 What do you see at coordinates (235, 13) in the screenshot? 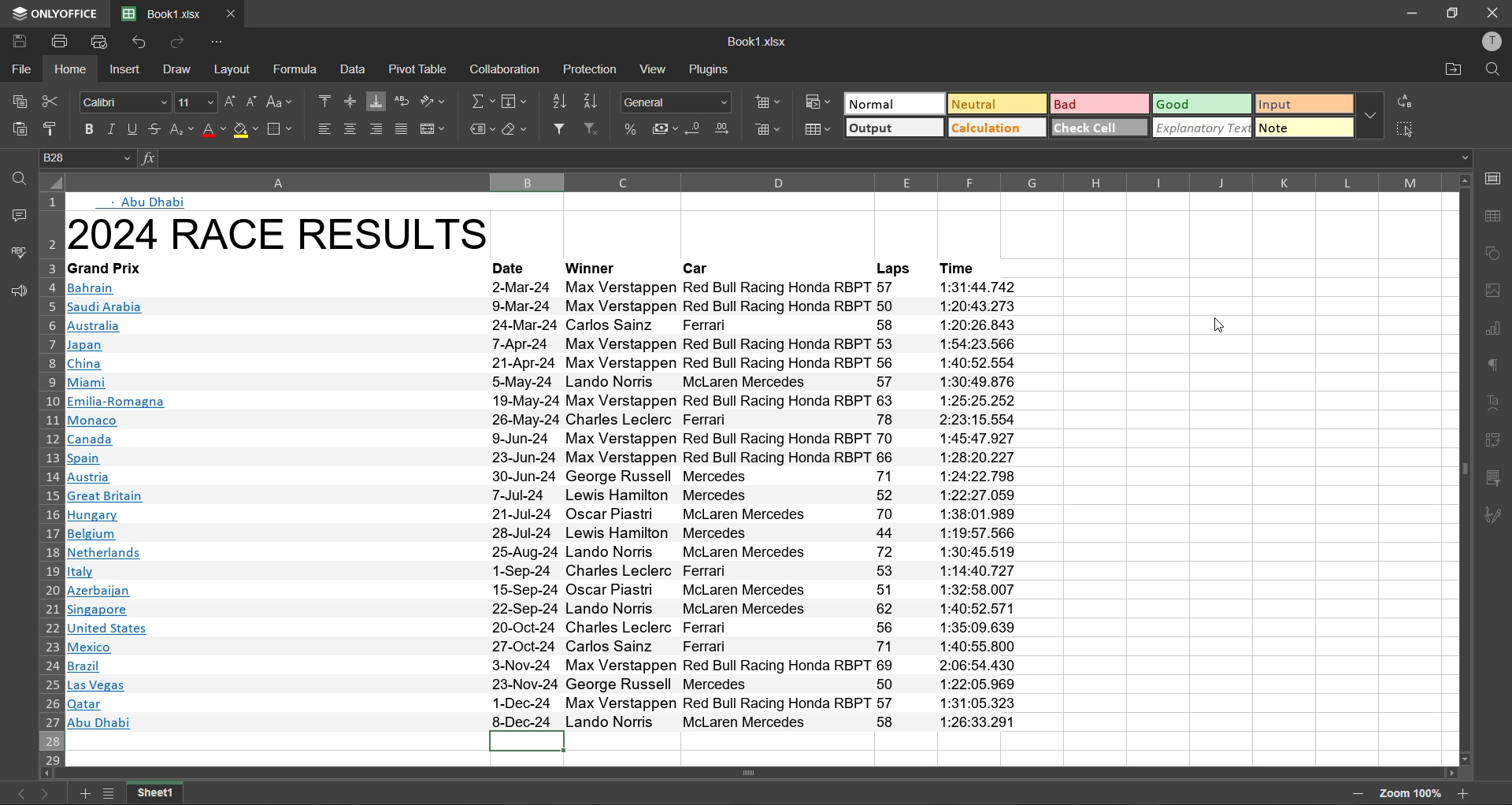
I see `close tab` at bounding box center [235, 13].